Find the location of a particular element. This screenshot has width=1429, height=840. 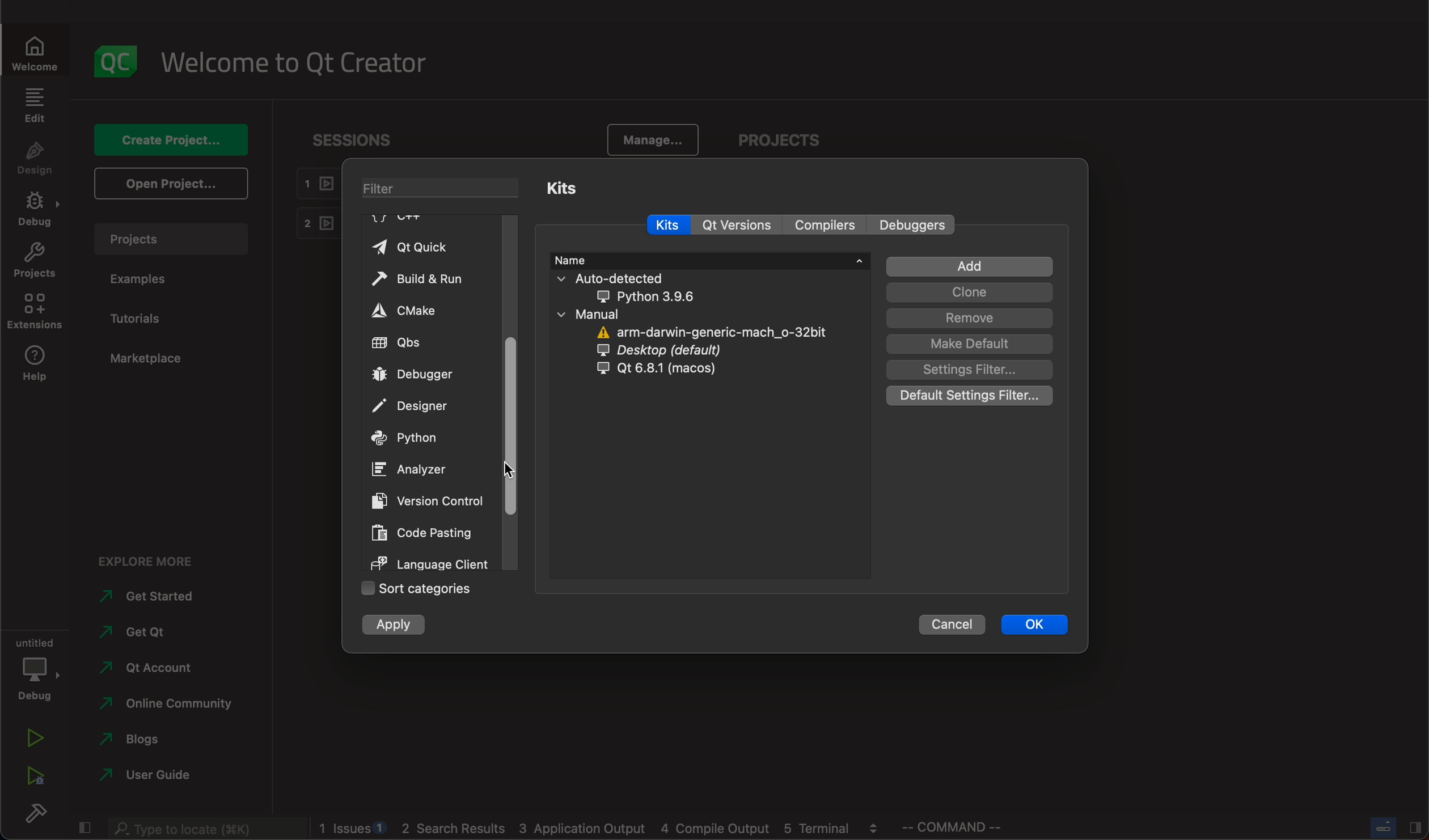

designer is located at coordinates (424, 405).